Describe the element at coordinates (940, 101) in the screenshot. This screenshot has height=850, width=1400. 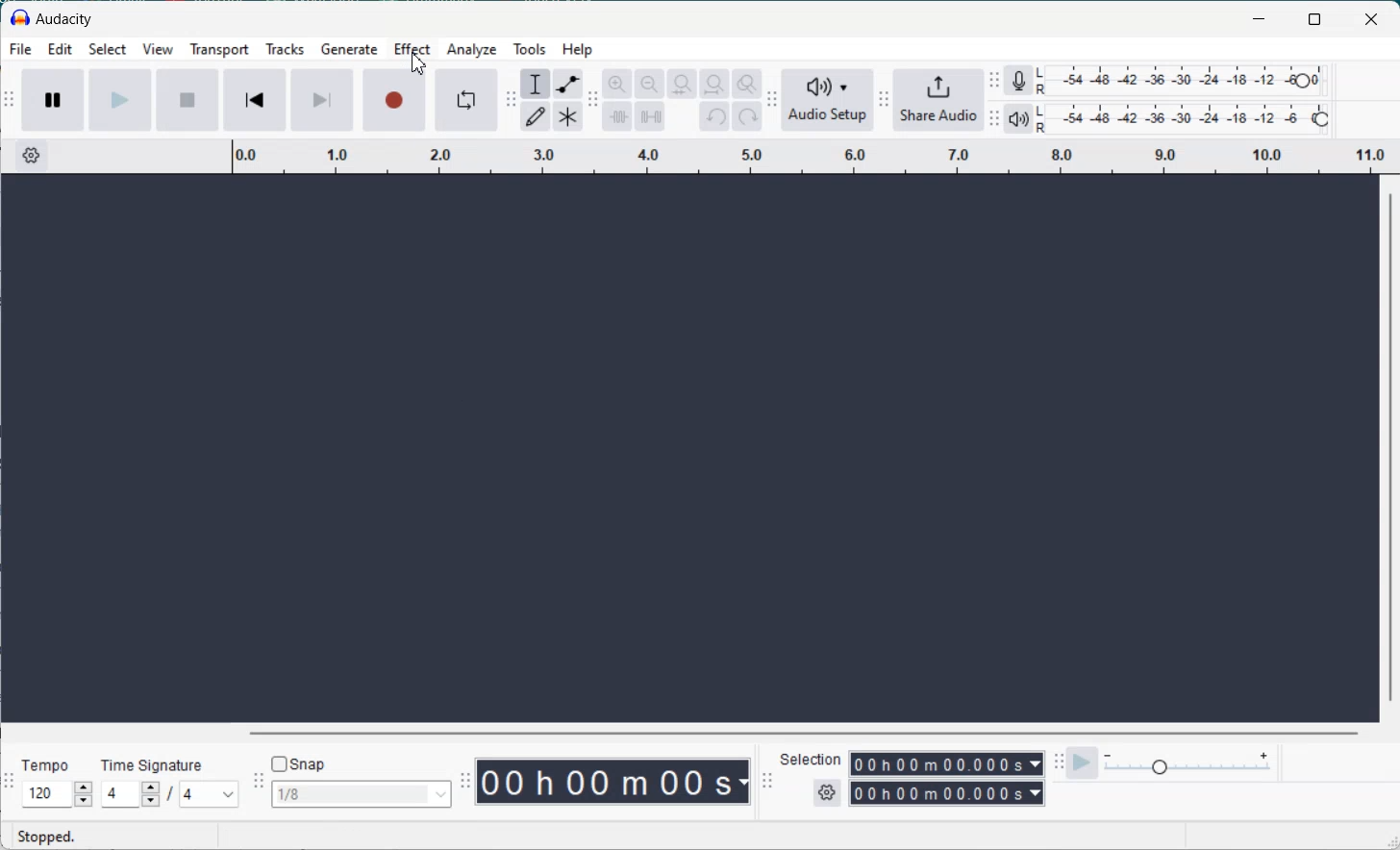
I see `Share Audio` at that location.